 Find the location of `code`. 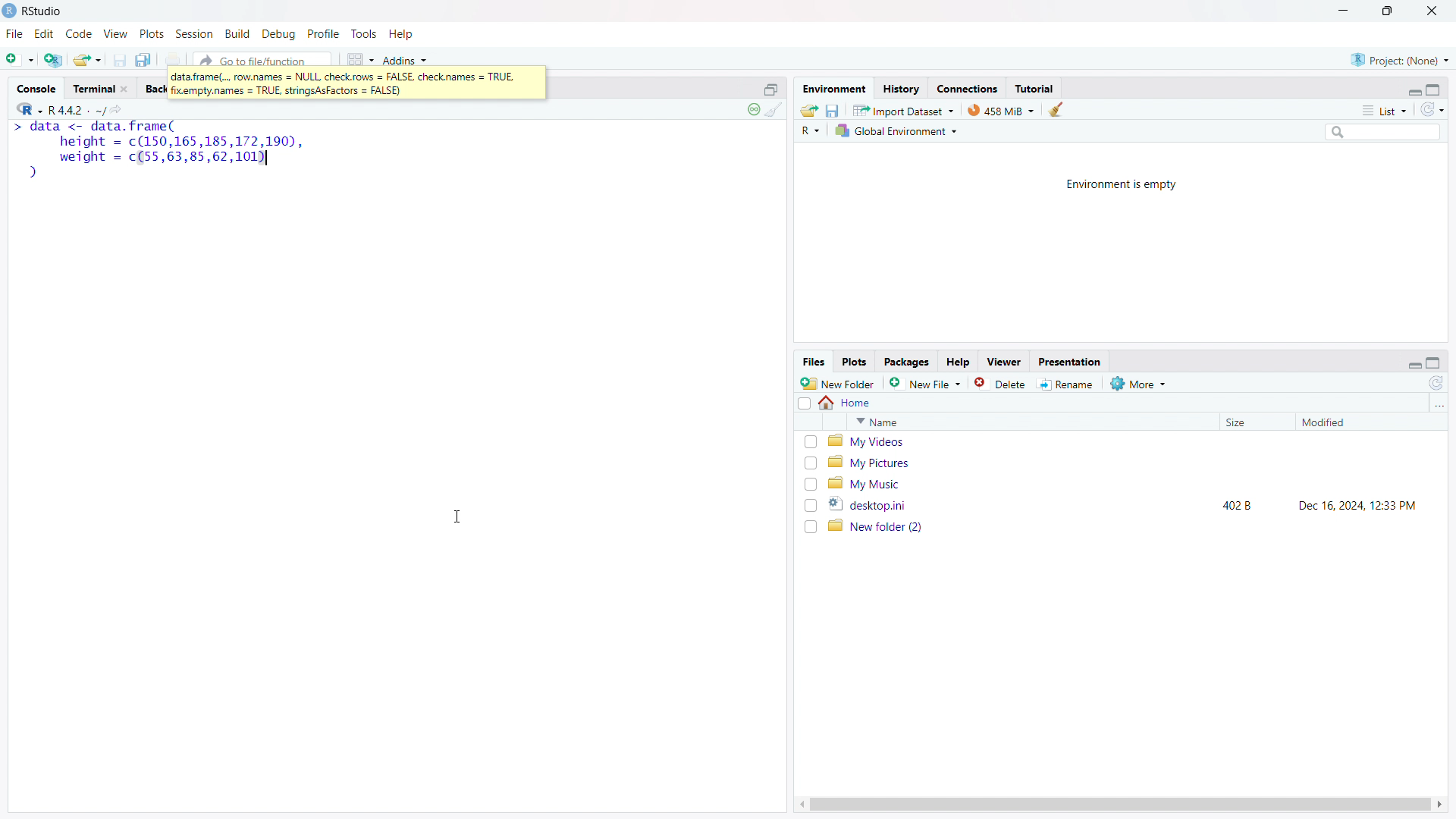

code is located at coordinates (79, 34).